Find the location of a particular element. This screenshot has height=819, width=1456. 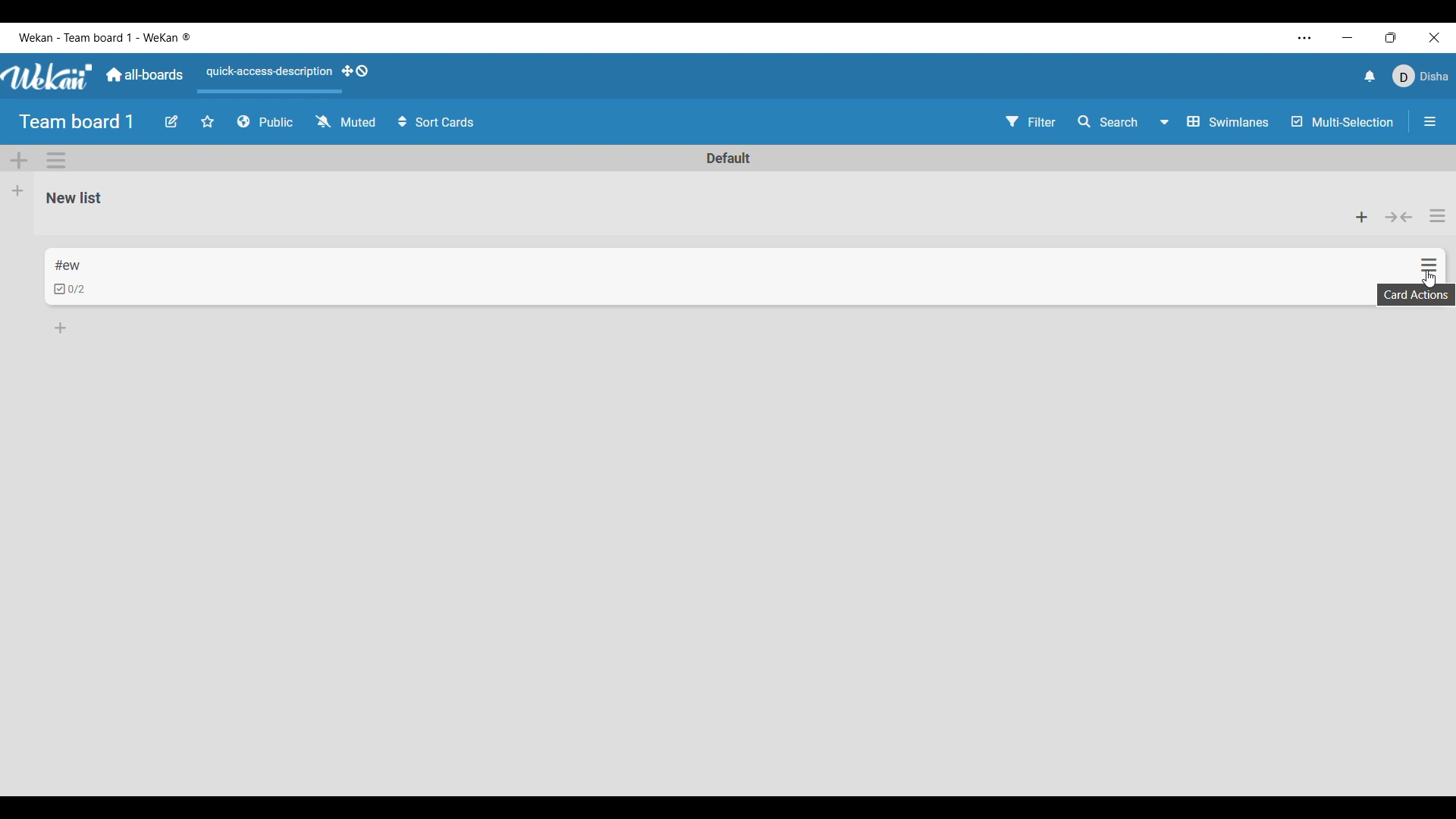

Add list is located at coordinates (18, 191).